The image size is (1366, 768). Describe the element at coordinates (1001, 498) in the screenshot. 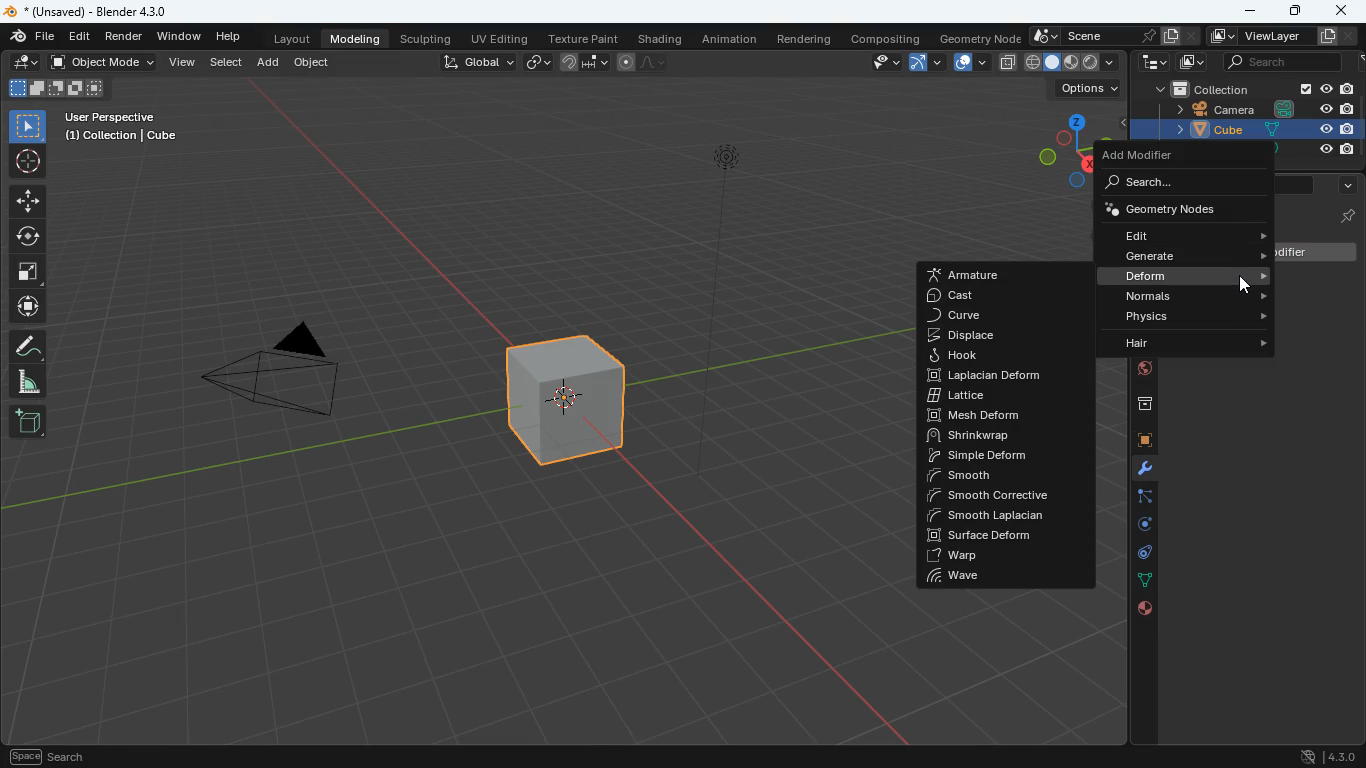

I see `smooth corrective` at that location.